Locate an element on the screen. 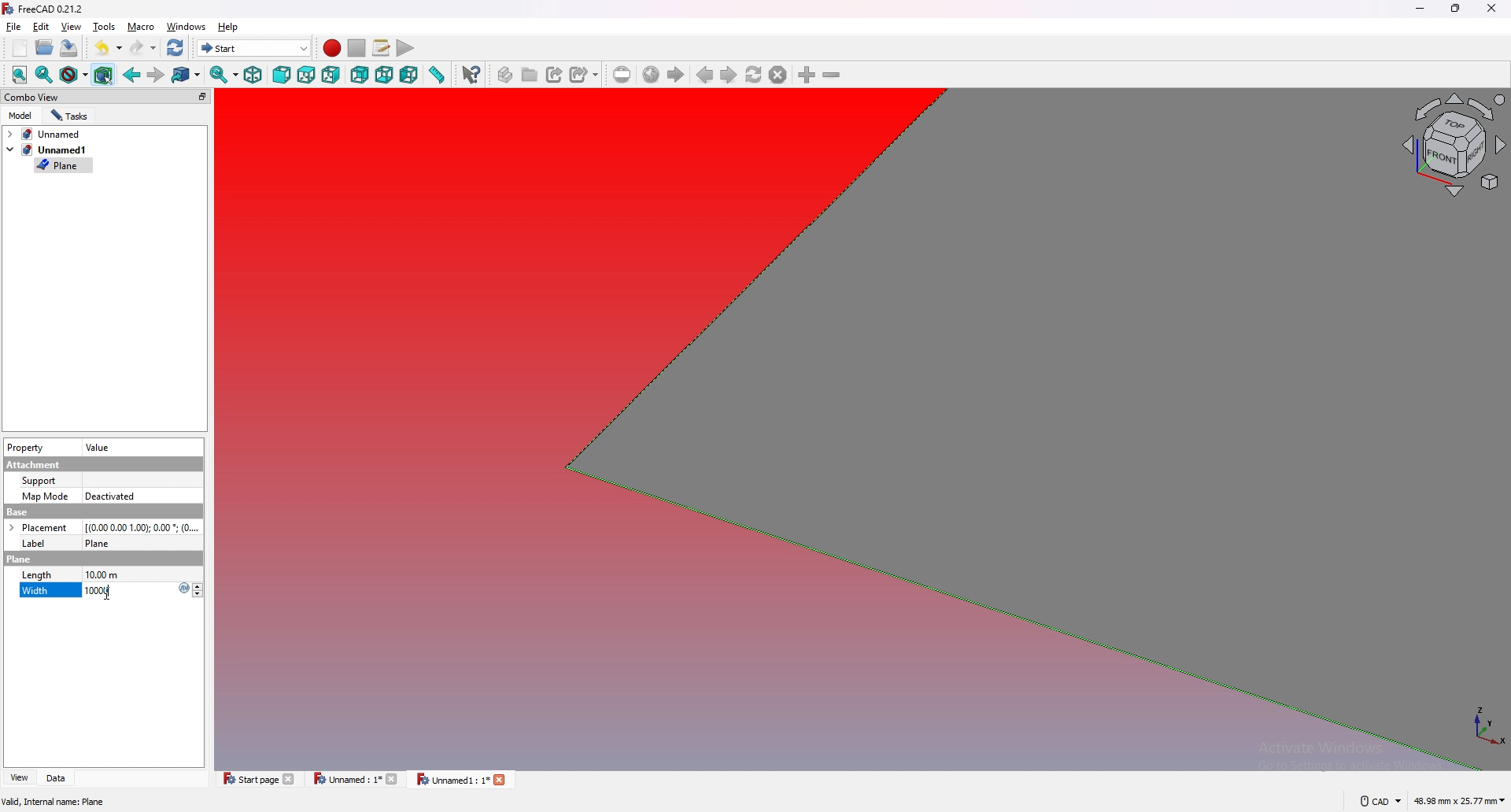 This screenshot has height=812, width=1511. create link is located at coordinates (556, 75).